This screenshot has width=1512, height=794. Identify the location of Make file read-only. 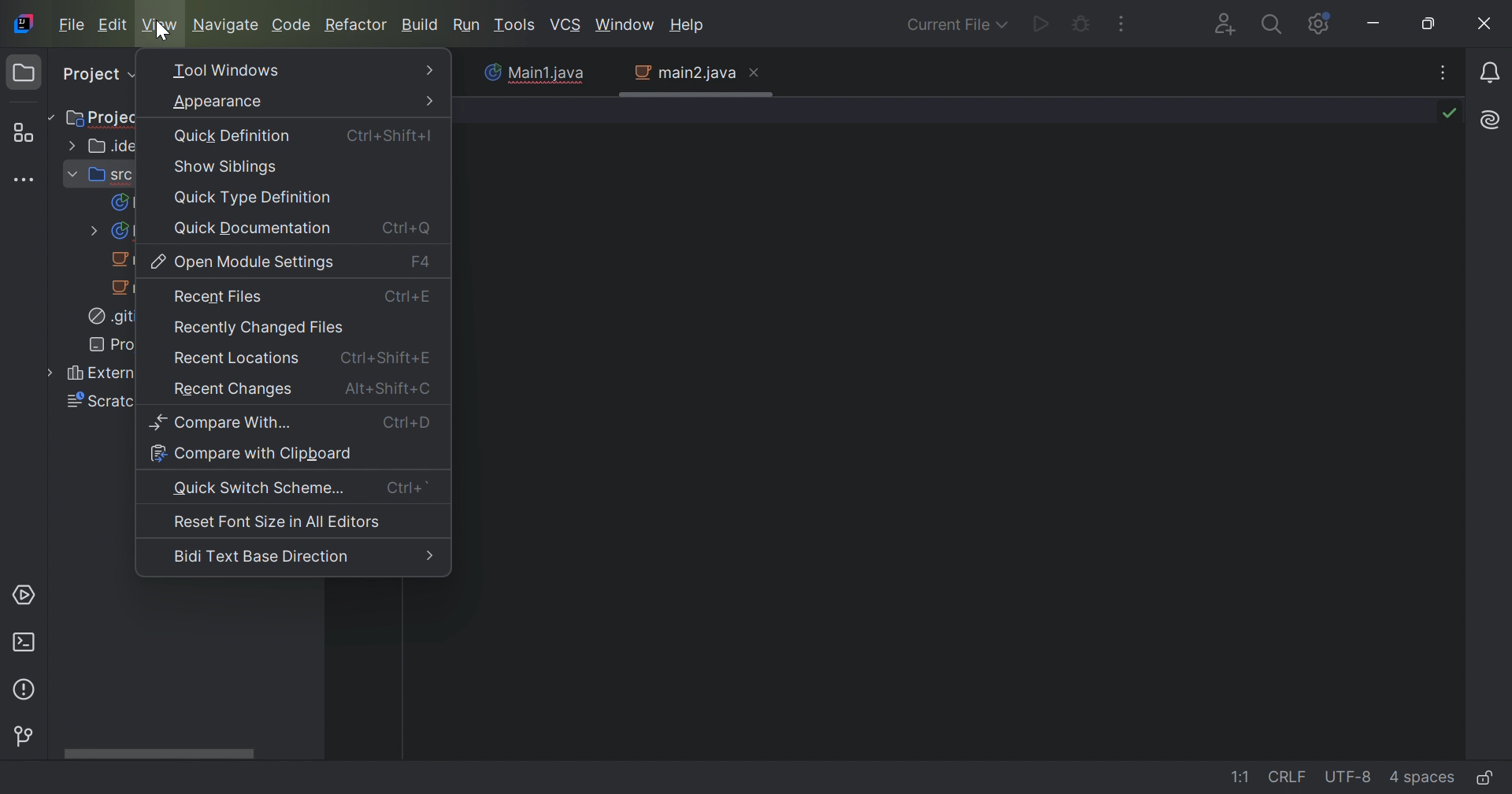
(1492, 777).